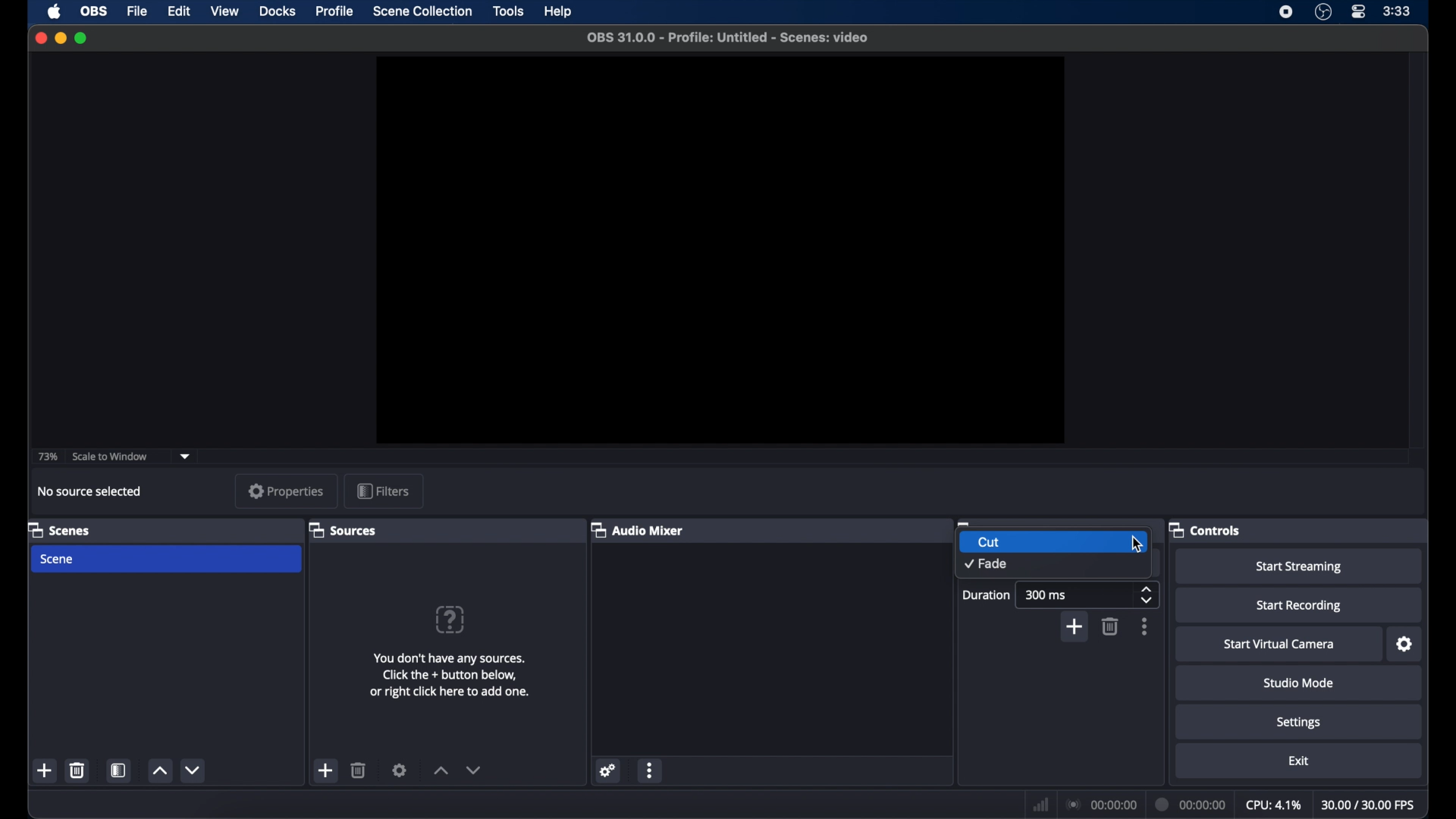  What do you see at coordinates (719, 250) in the screenshot?
I see `preview` at bounding box center [719, 250].